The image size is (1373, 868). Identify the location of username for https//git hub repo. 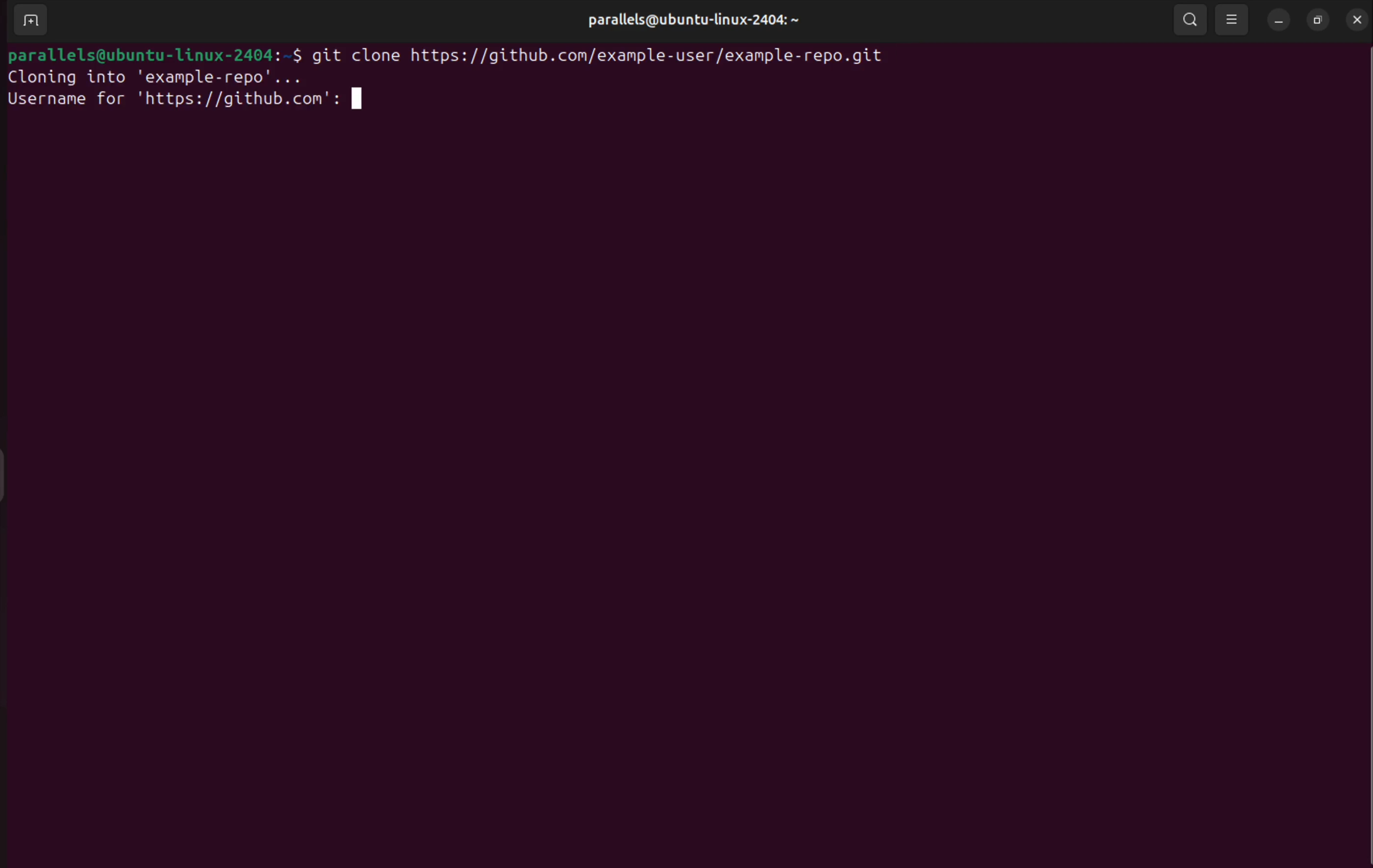
(185, 100).